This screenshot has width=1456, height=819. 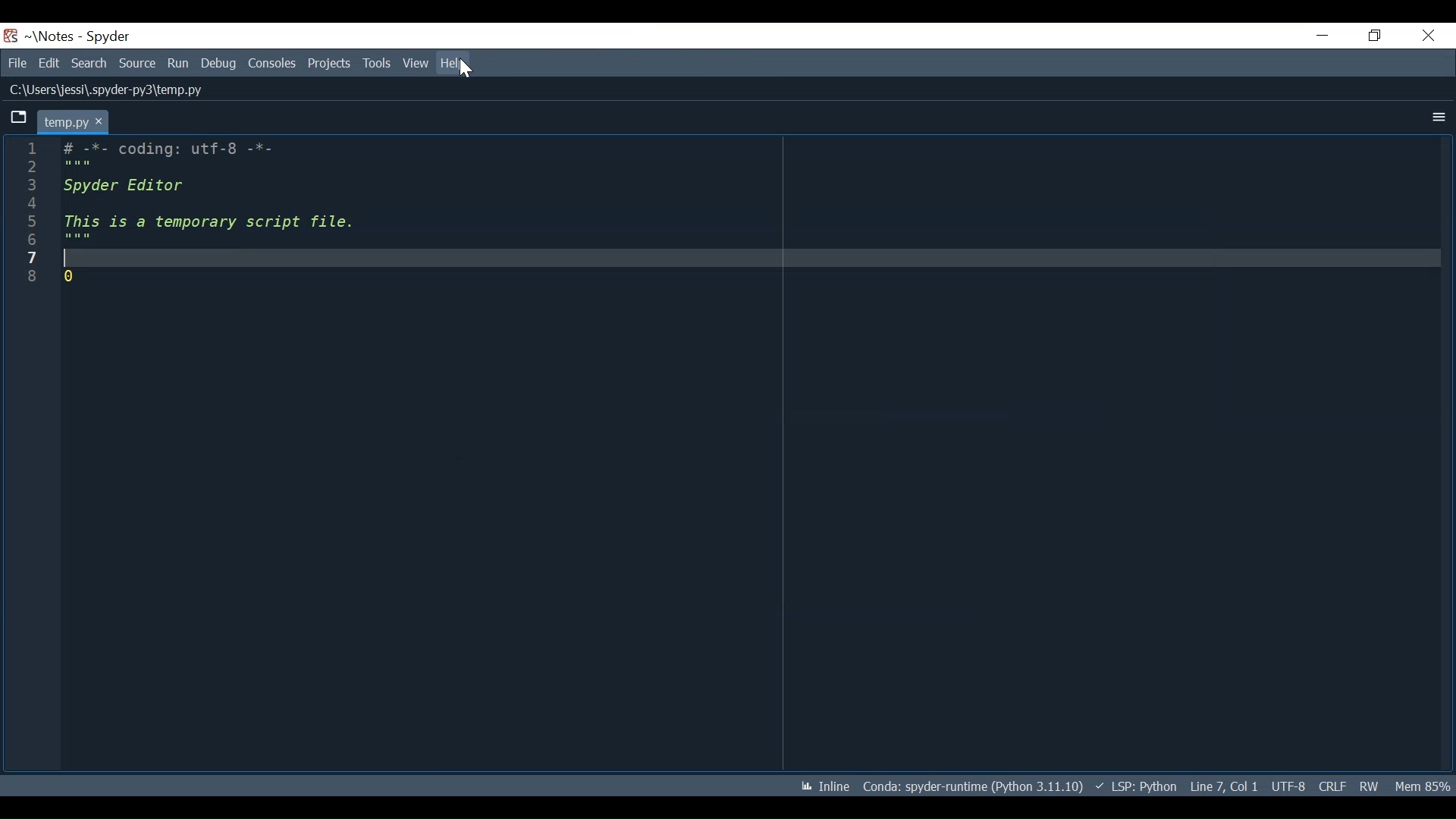 I want to click on Memory Usage, so click(x=1425, y=786).